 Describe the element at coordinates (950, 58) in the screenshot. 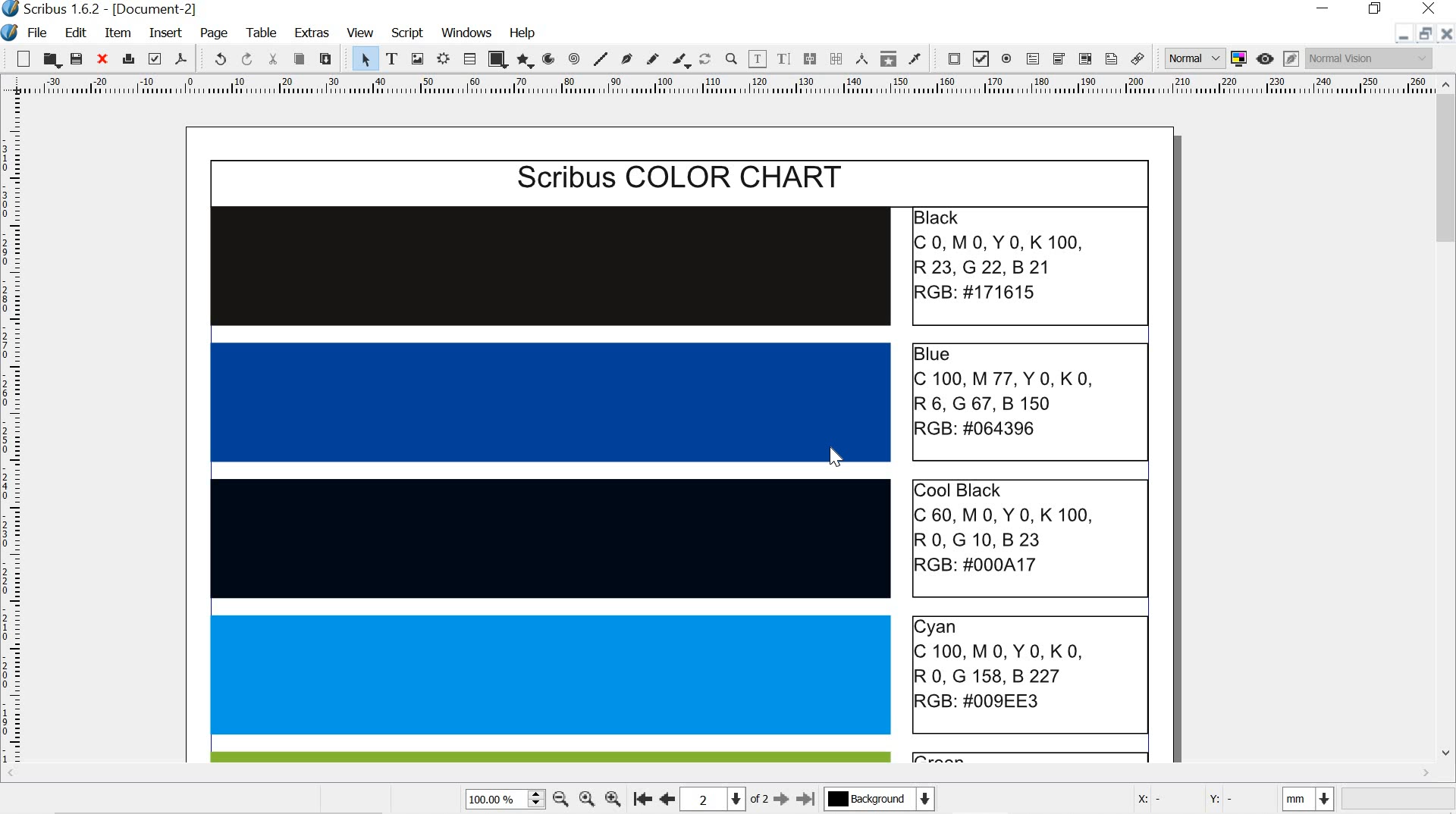

I see `pdf push button` at that location.